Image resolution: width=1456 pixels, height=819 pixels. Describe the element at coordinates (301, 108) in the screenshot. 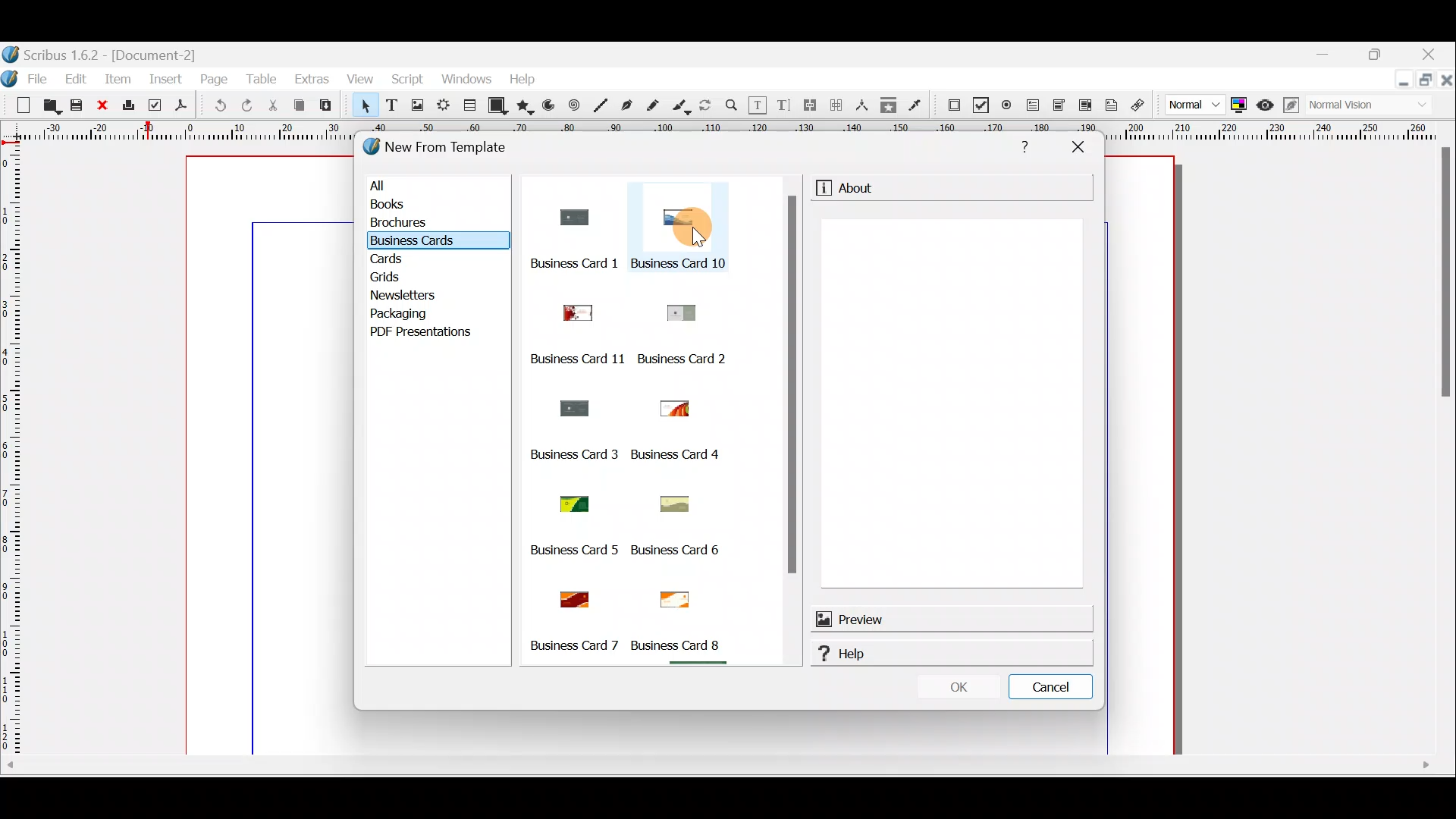

I see `Copy` at that location.